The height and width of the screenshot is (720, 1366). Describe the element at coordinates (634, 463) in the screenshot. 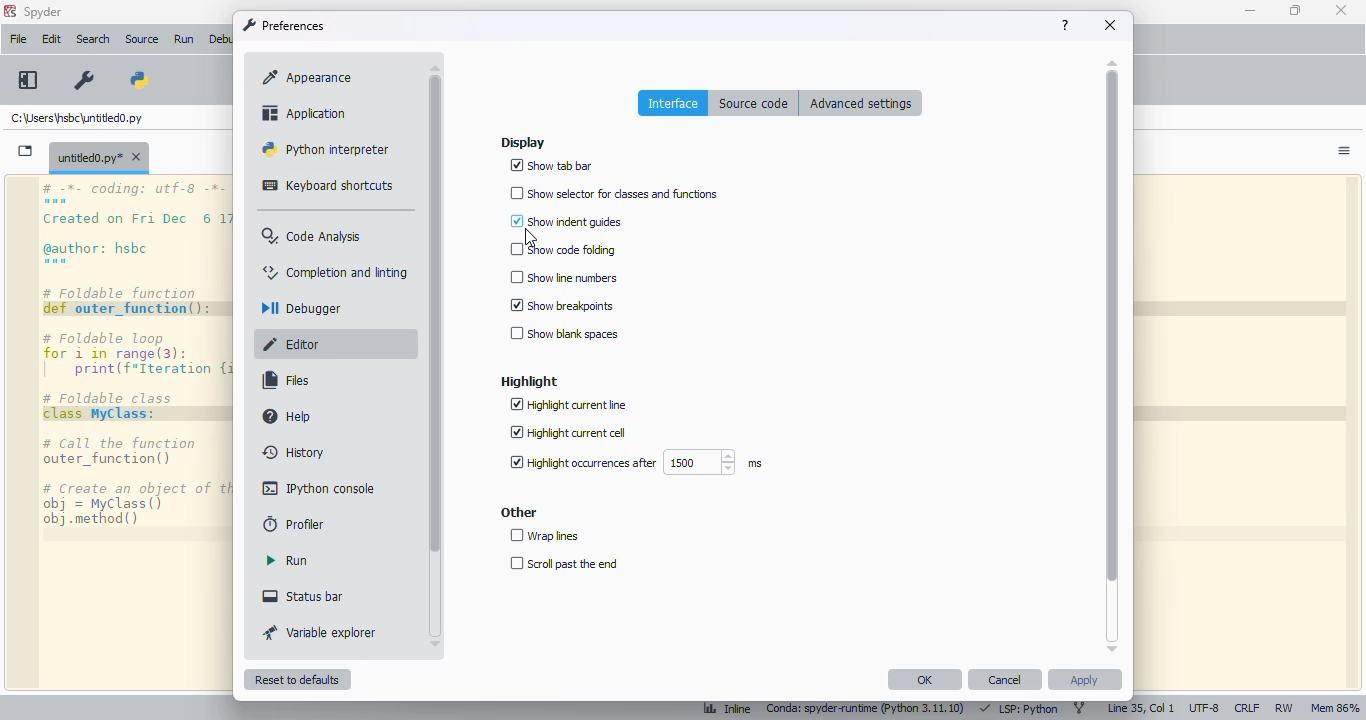

I see `highlight occurrences after 1500 ms` at that location.